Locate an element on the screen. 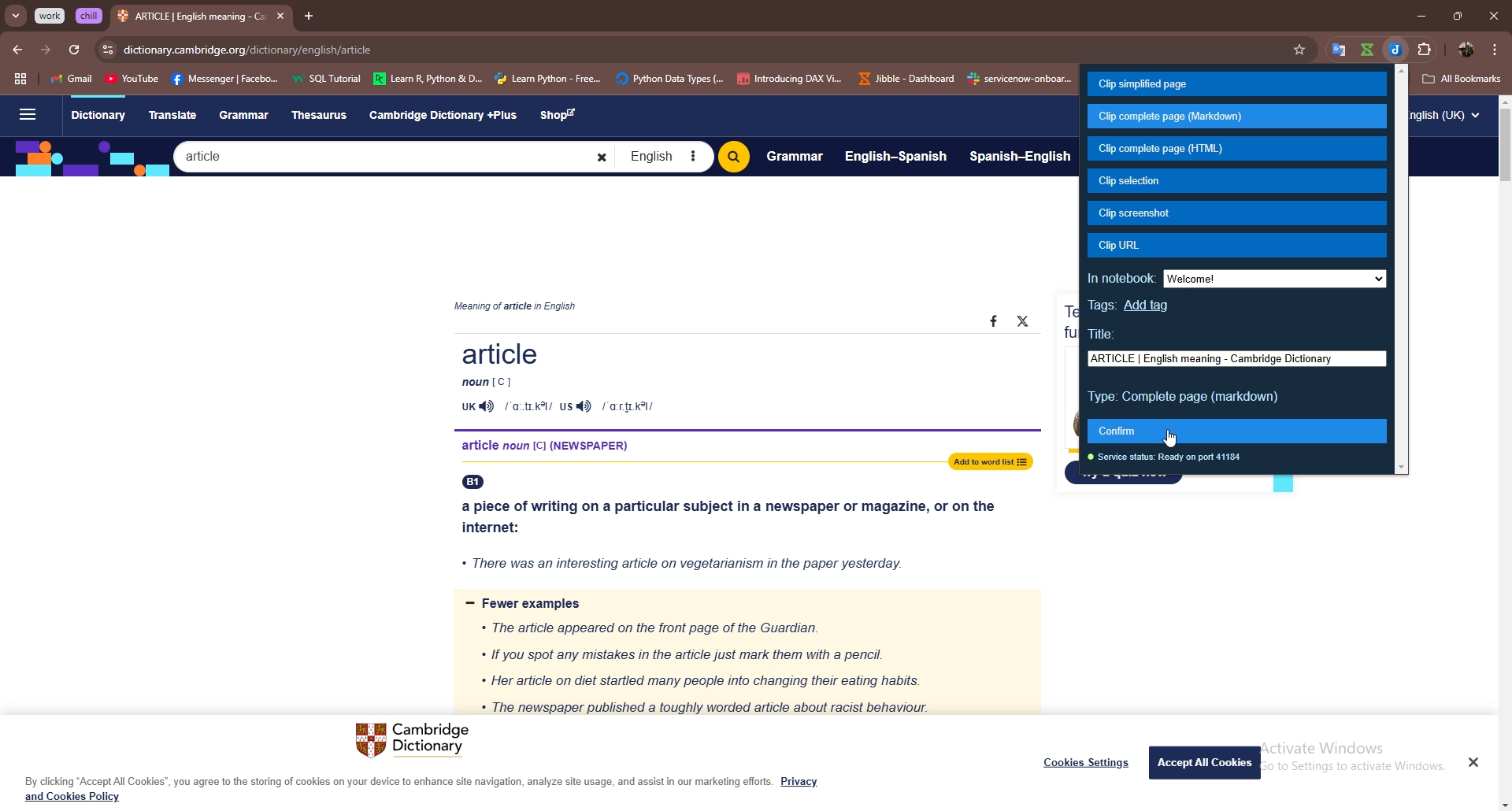 The image size is (1512, 811). title is located at coordinates (1236, 358).